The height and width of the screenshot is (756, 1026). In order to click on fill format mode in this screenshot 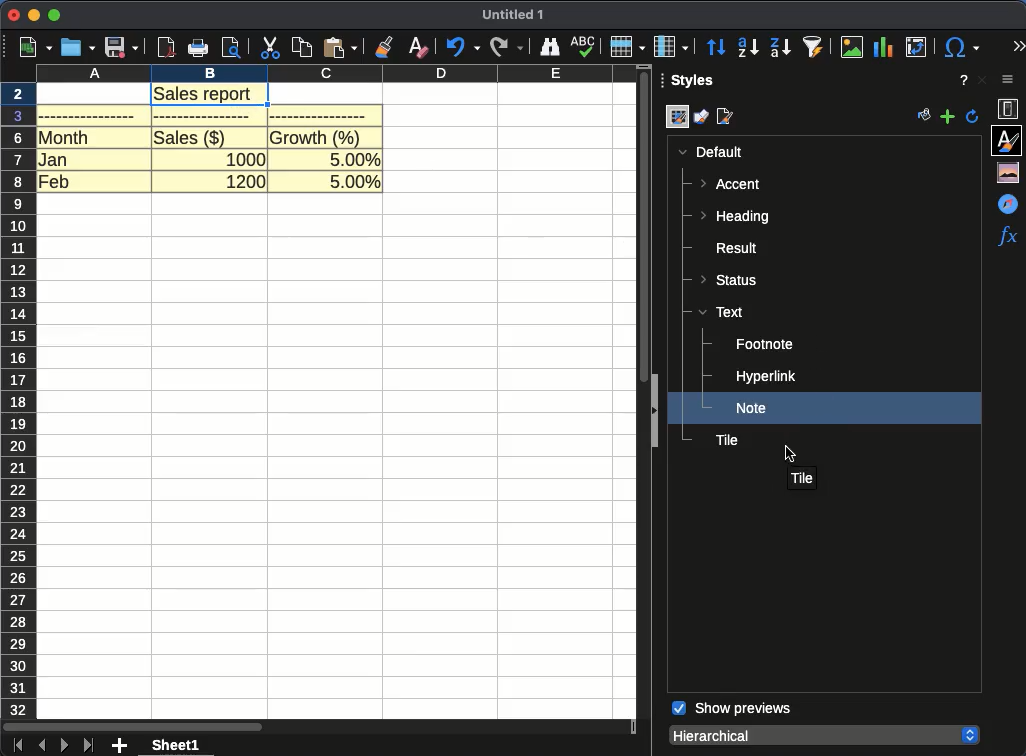, I will do `click(925, 117)`.